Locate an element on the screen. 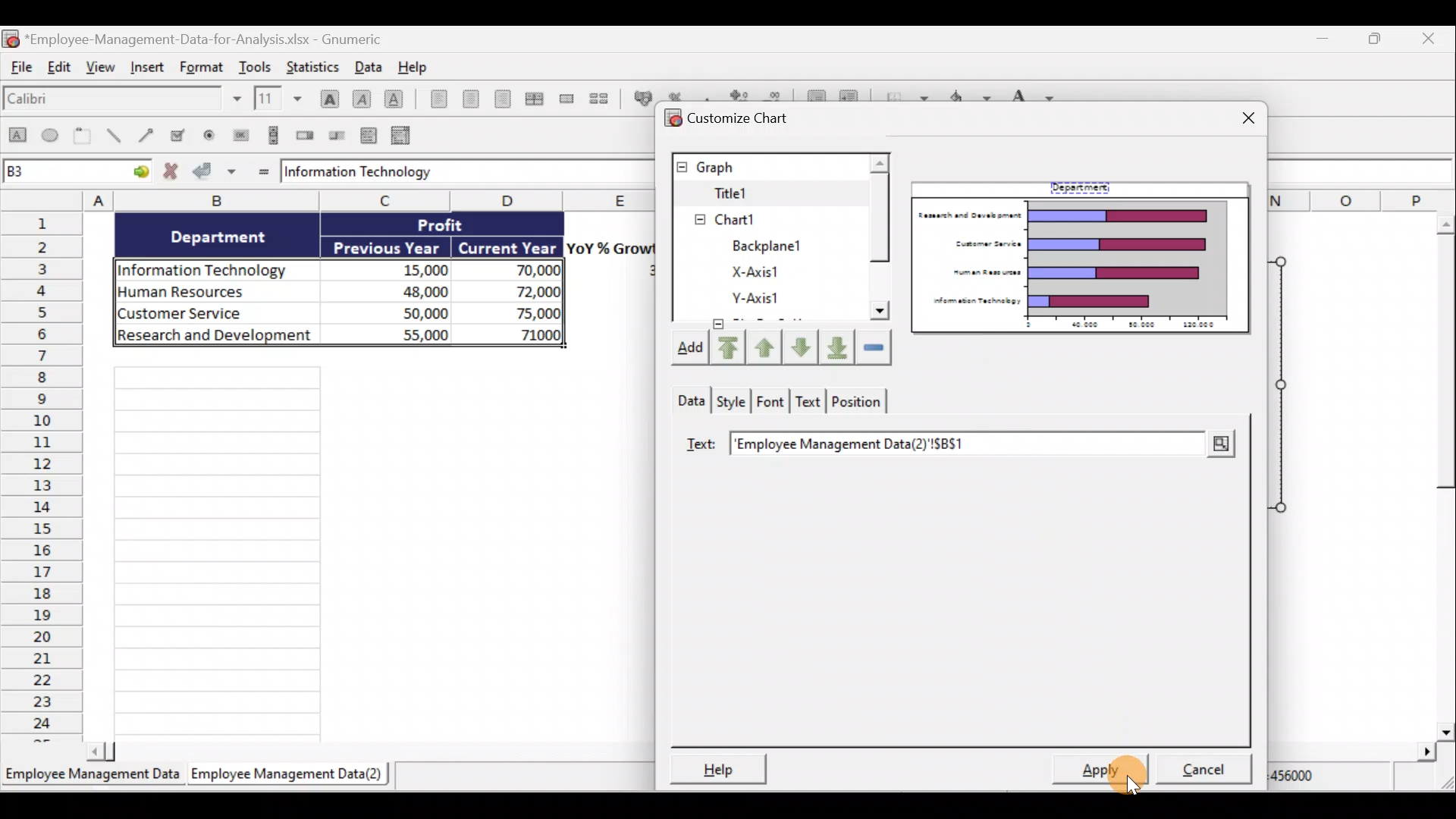 This screenshot has height=819, width=1456. Move up is located at coordinates (764, 346).